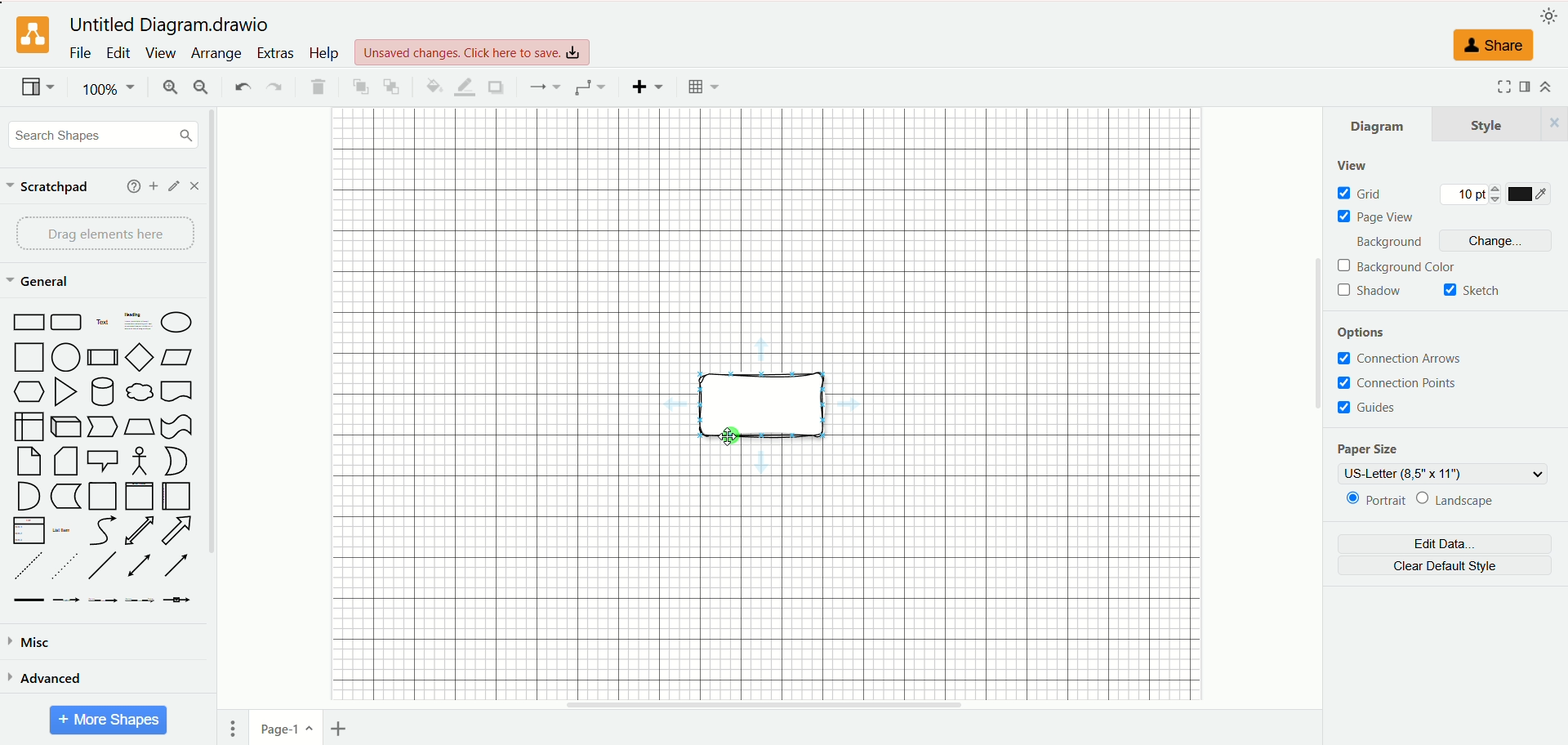  Describe the element at coordinates (323, 52) in the screenshot. I see `help` at that location.